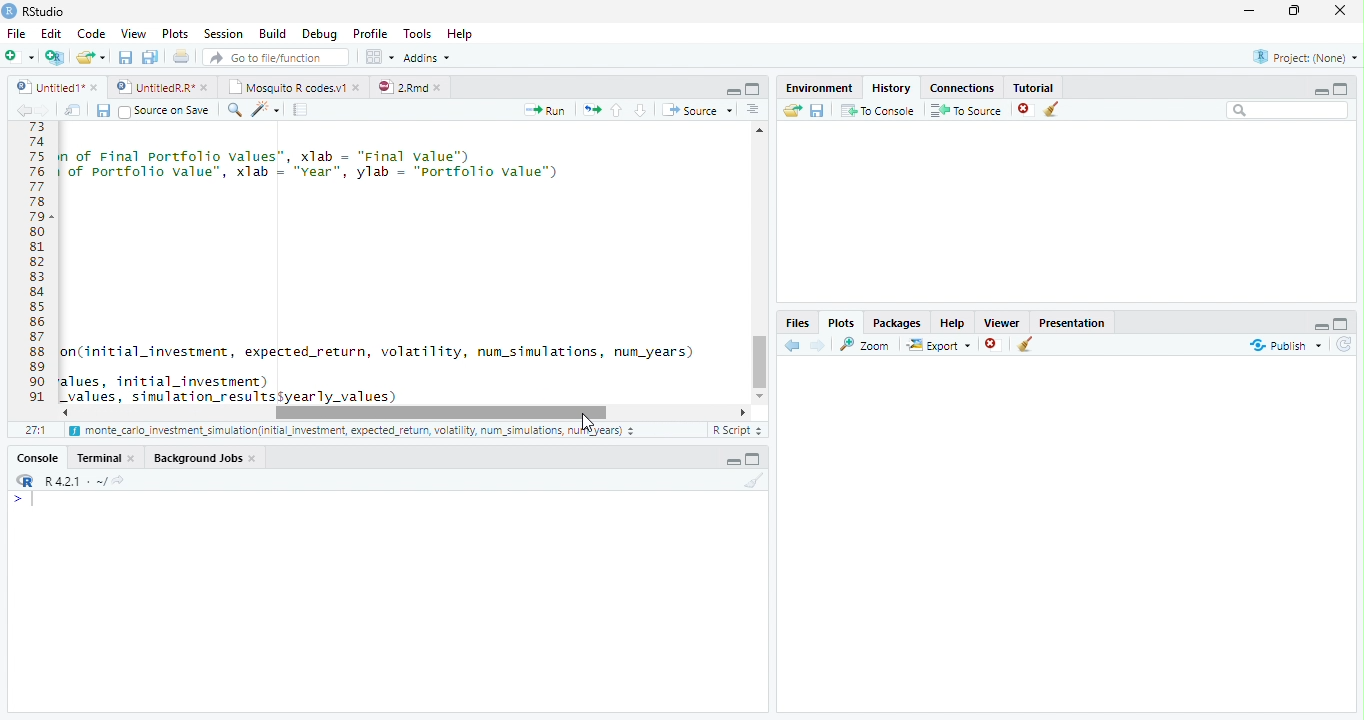 The image size is (1364, 720). Describe the element at coordinates (760, 132) in the screenshot. I see `Scroll Up` at that location.